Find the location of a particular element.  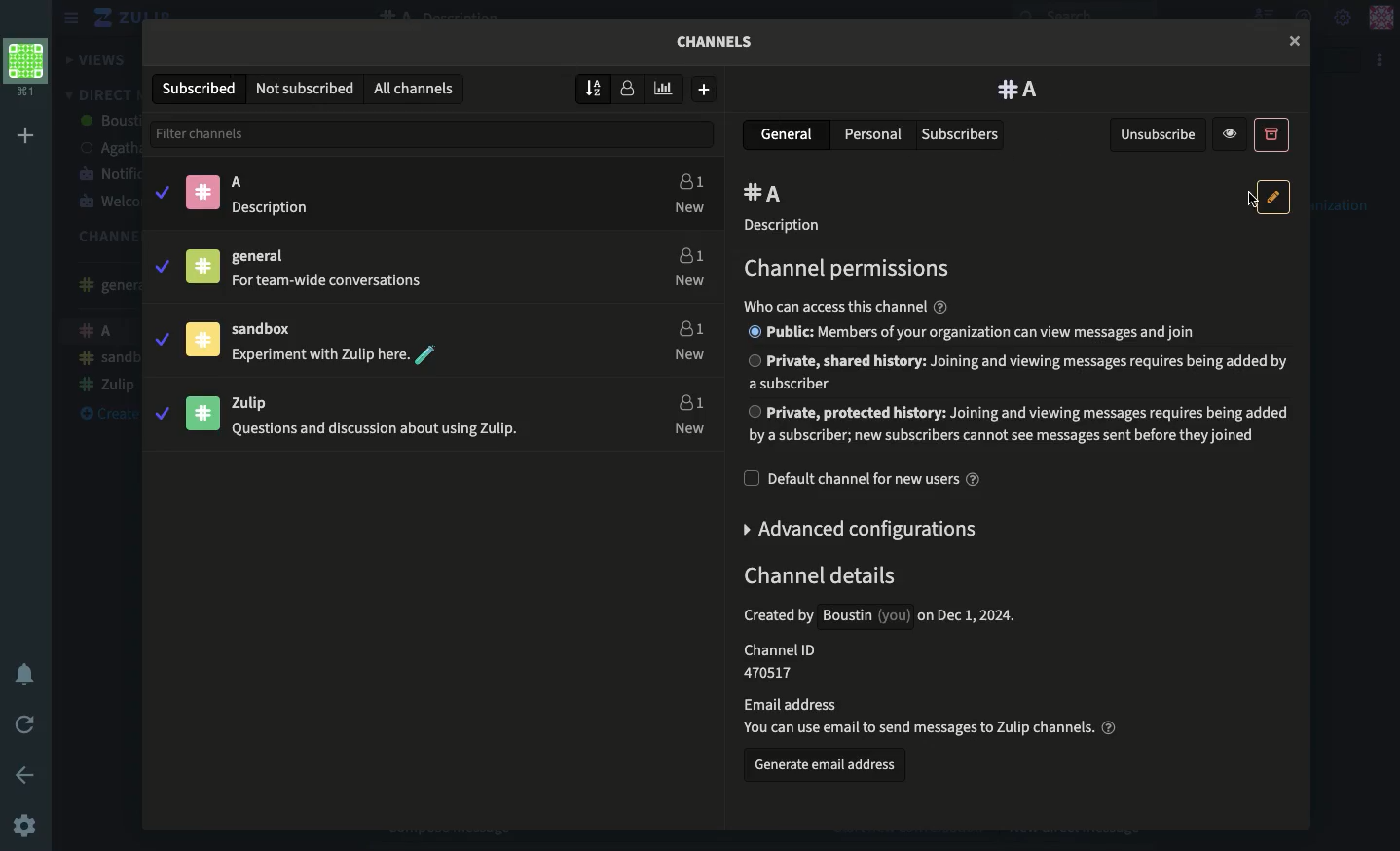

Generate email address is located at coordinates (826, 768).